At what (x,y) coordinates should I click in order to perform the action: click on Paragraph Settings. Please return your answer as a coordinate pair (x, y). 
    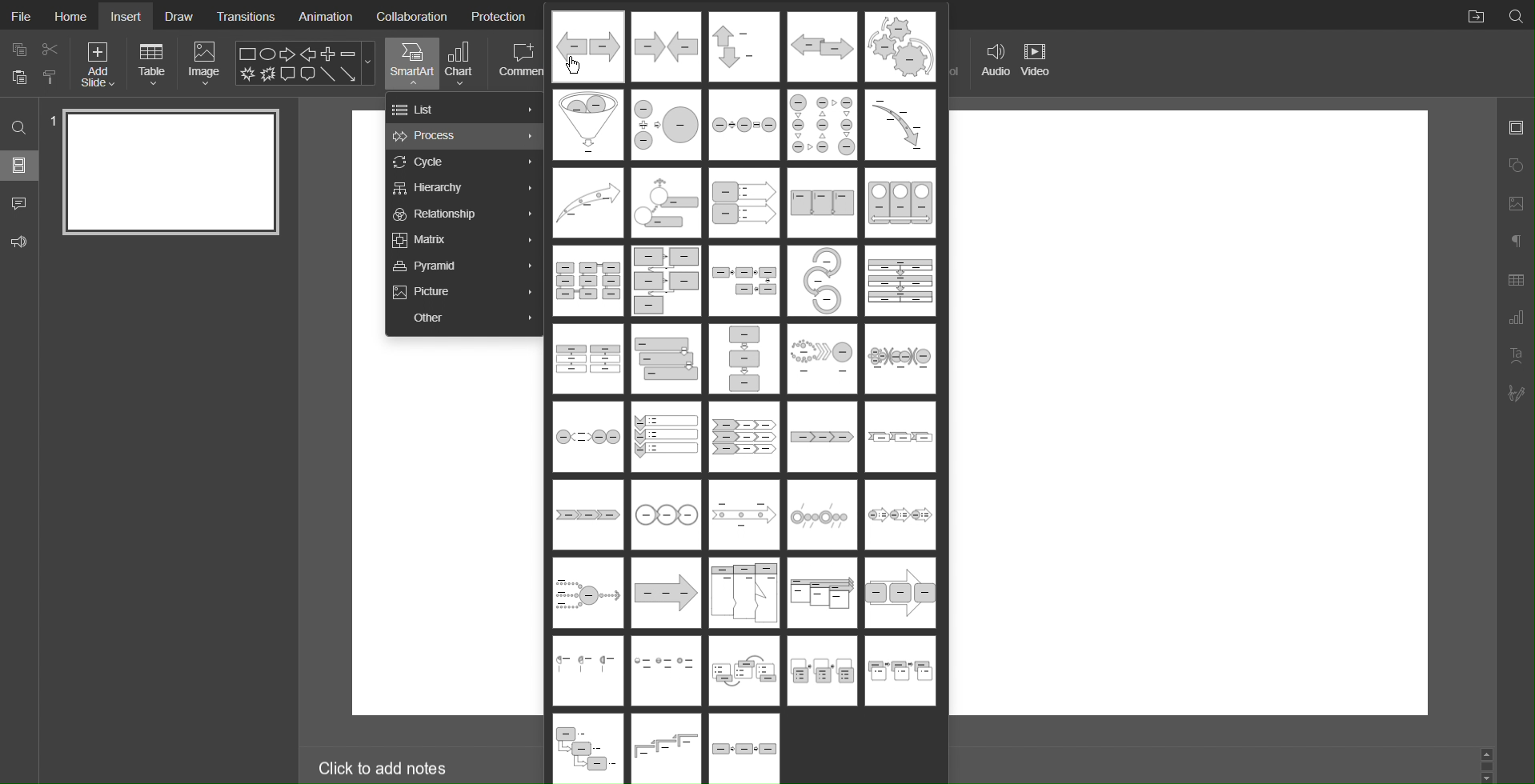
    Looking at the image, I should click on (1516, 242).